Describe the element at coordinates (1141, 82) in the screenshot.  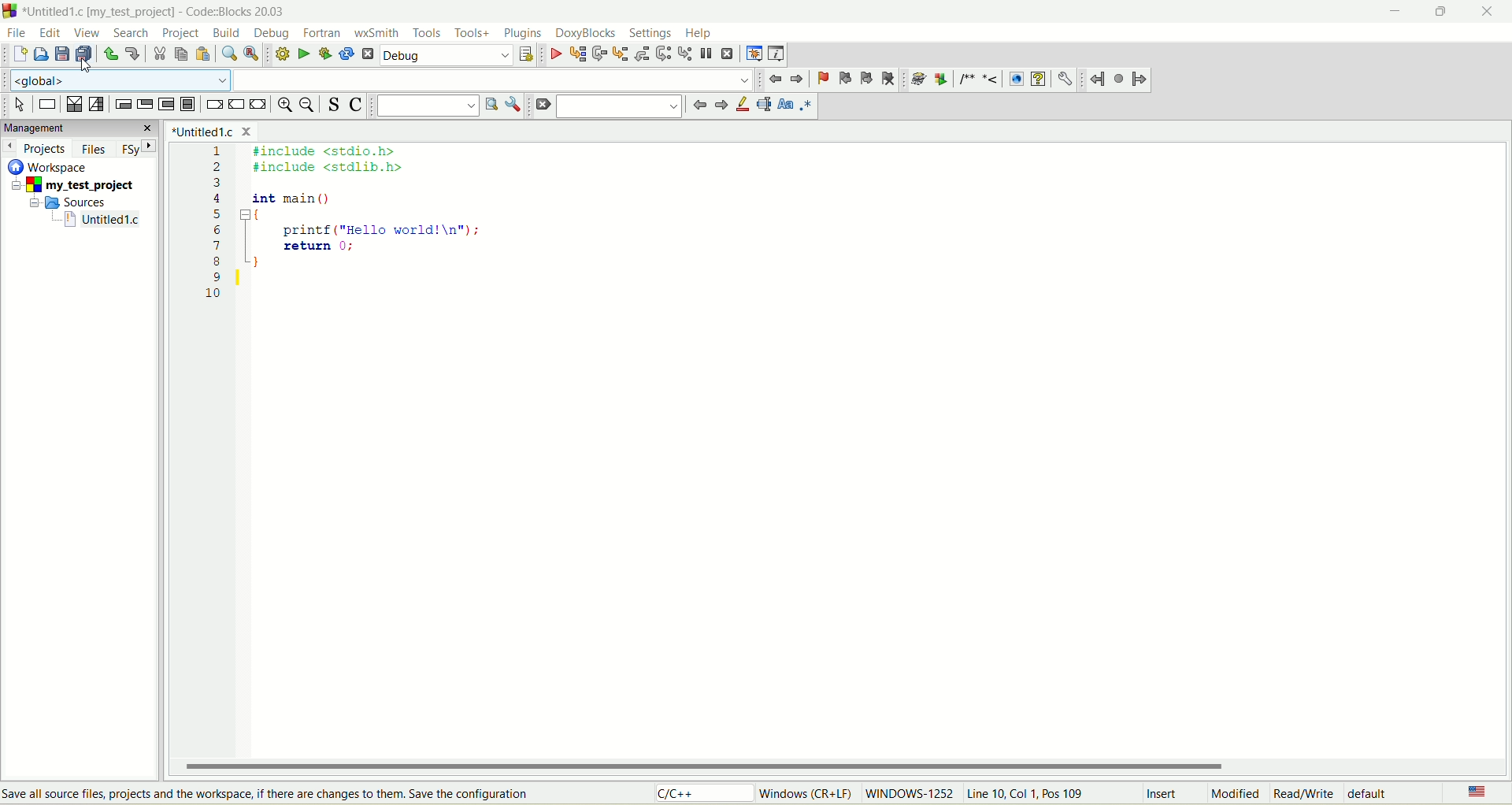
I see `jump forward` at that location.